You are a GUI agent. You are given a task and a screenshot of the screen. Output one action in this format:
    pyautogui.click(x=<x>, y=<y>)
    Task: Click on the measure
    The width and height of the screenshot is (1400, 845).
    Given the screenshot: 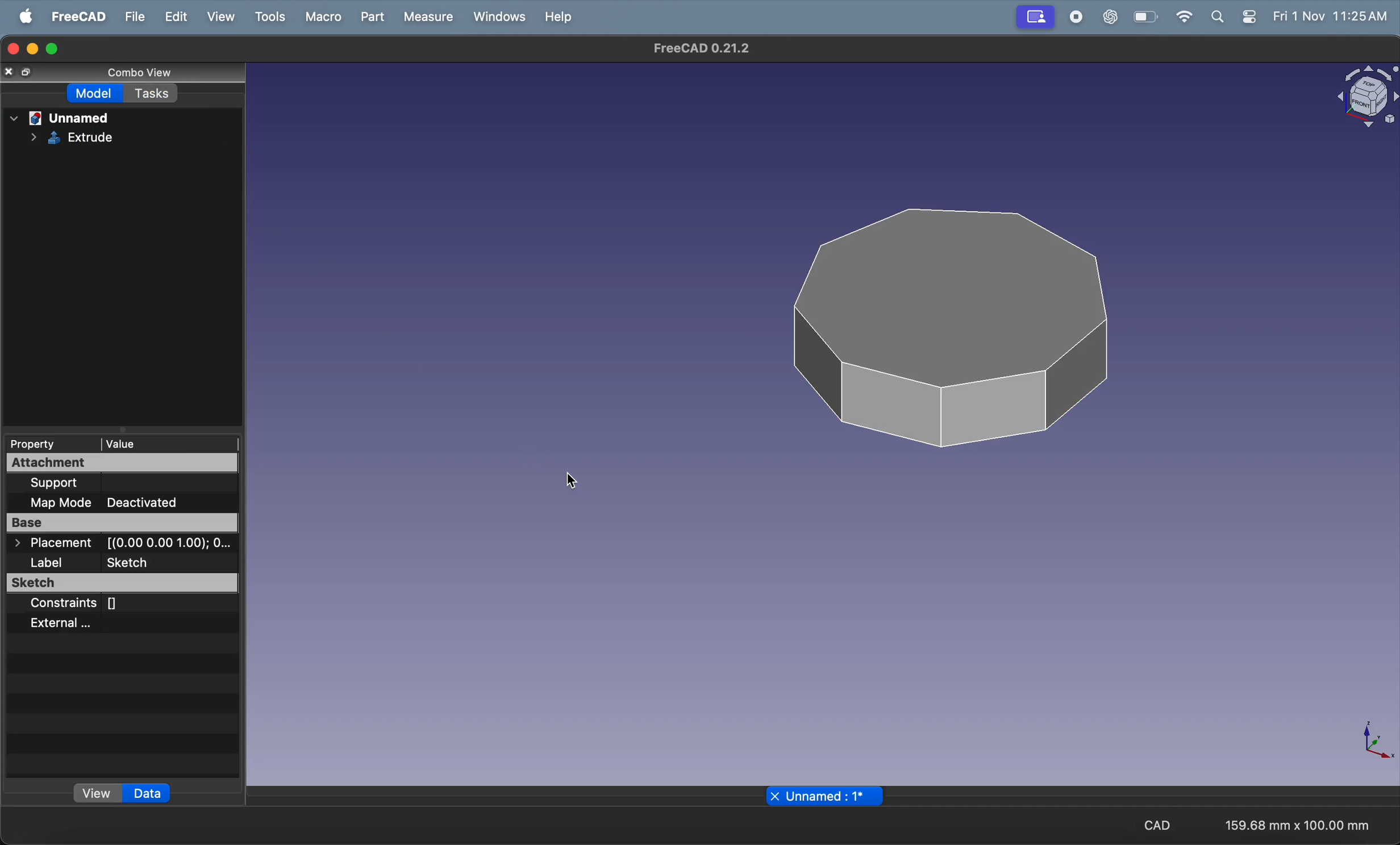 What is the action you would take?
    pyautogui.click(x=427, y=17)
    